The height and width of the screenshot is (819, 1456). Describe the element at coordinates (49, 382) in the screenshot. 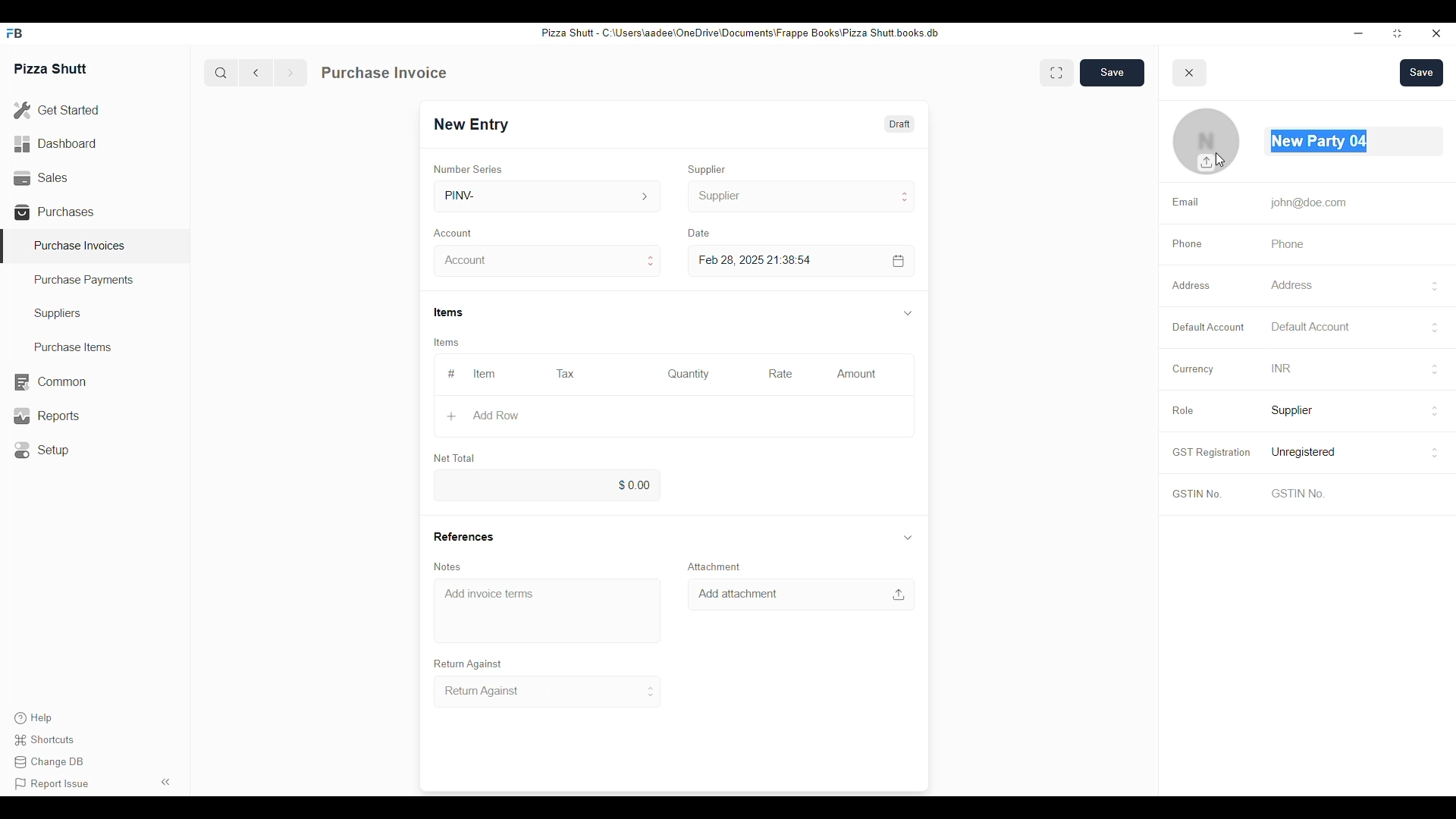

I see `Common` at that location.